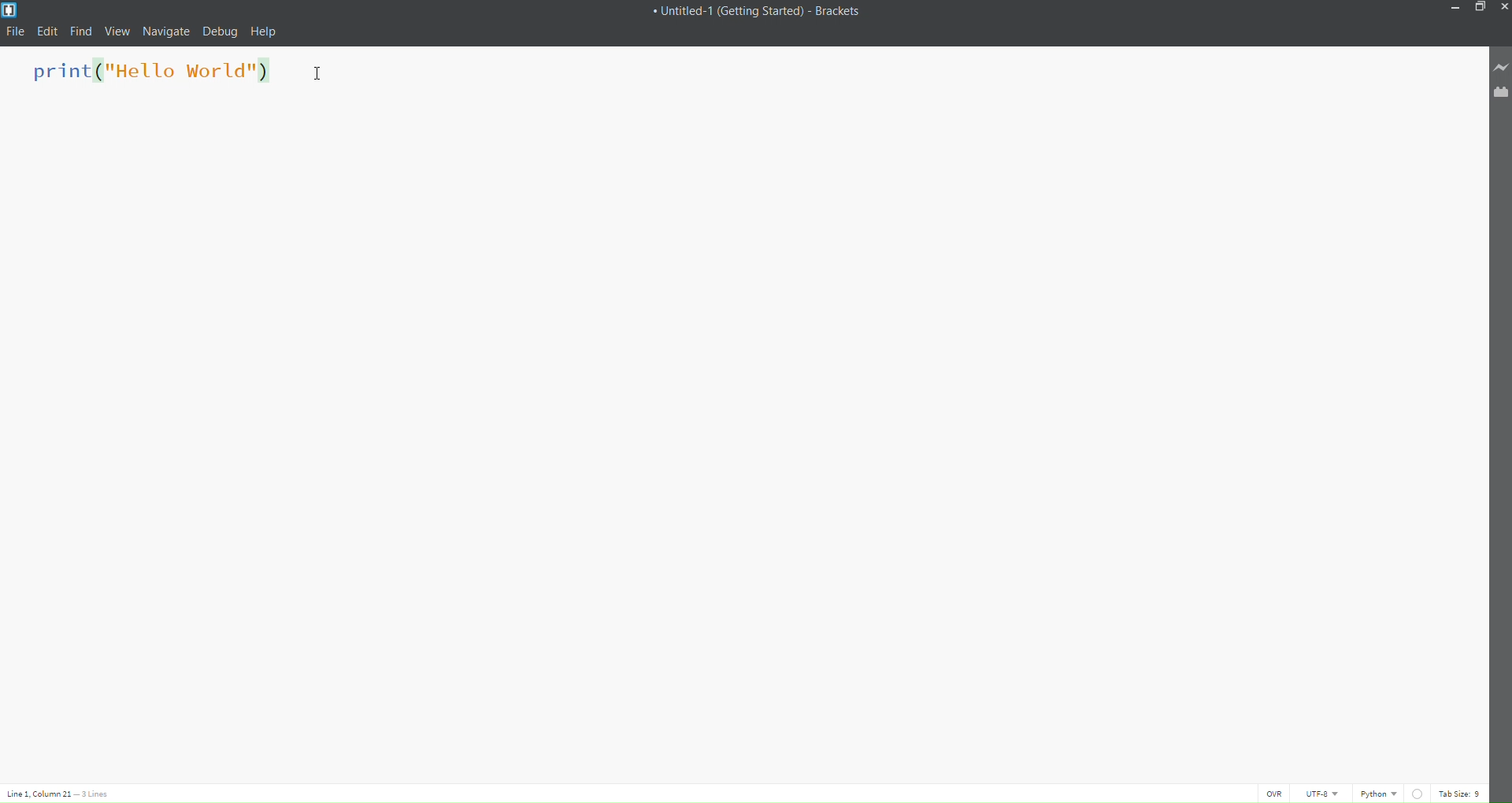  What do you see at coordinates (1498, 65) in the screenshot?
I see `live preview` at bounding box center [1498, 65].